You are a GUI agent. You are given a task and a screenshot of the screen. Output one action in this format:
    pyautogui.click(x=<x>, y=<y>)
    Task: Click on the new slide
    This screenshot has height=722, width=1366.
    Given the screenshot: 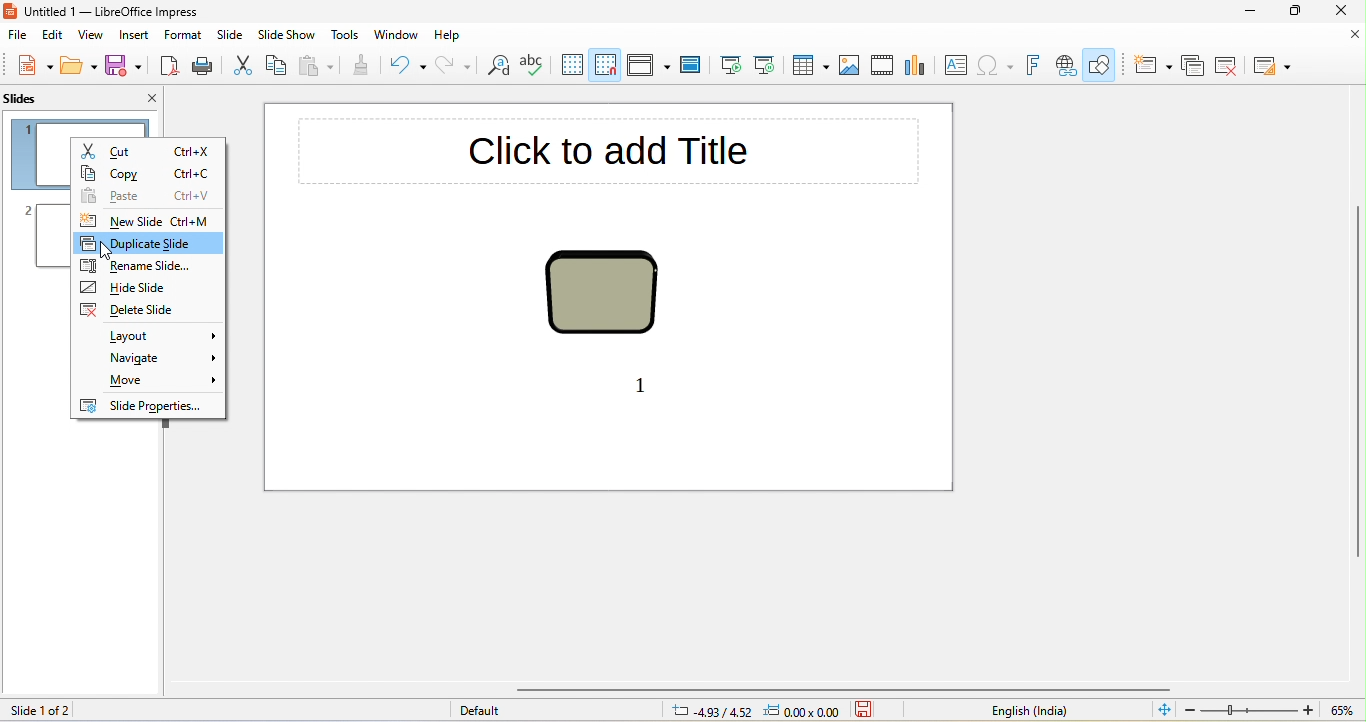 What is the action you would take?
    pyautogui.click(x=1151, y=64)
    